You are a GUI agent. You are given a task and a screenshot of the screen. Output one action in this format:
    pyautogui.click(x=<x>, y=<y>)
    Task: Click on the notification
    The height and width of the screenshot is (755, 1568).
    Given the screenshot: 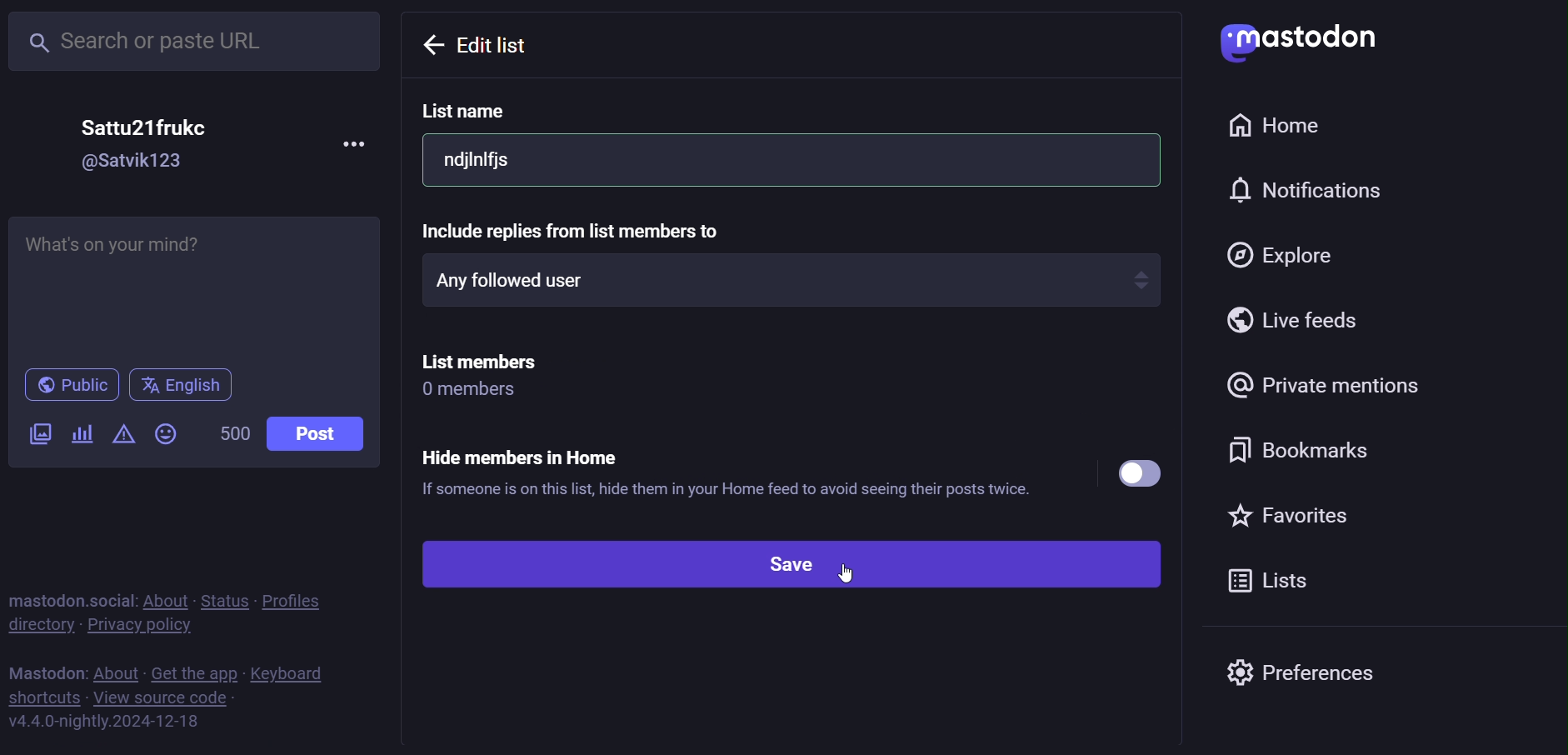 What is the action you would take?
    pyautogui.click(x=1317, y=192)
    